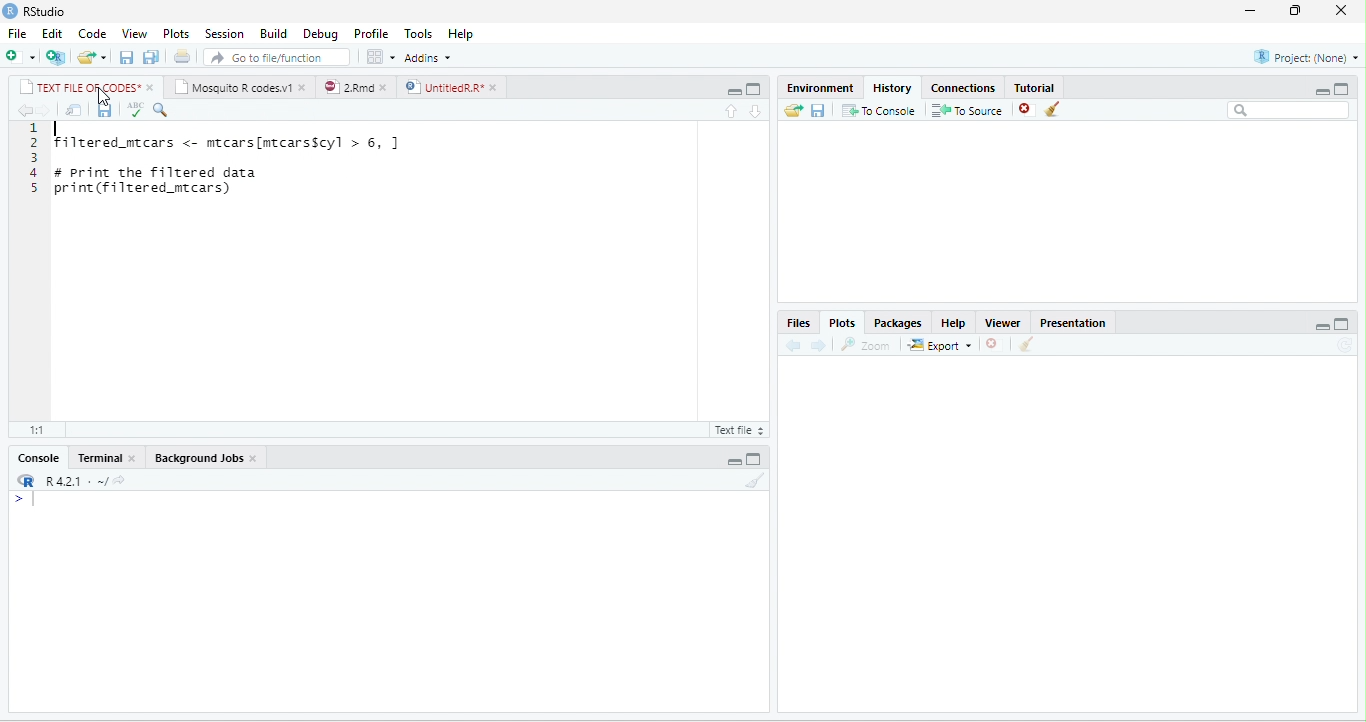 The height and width of the screenshot is (722, 1366). I want to click on Mosquito R codes.v1, so click(233, 86).